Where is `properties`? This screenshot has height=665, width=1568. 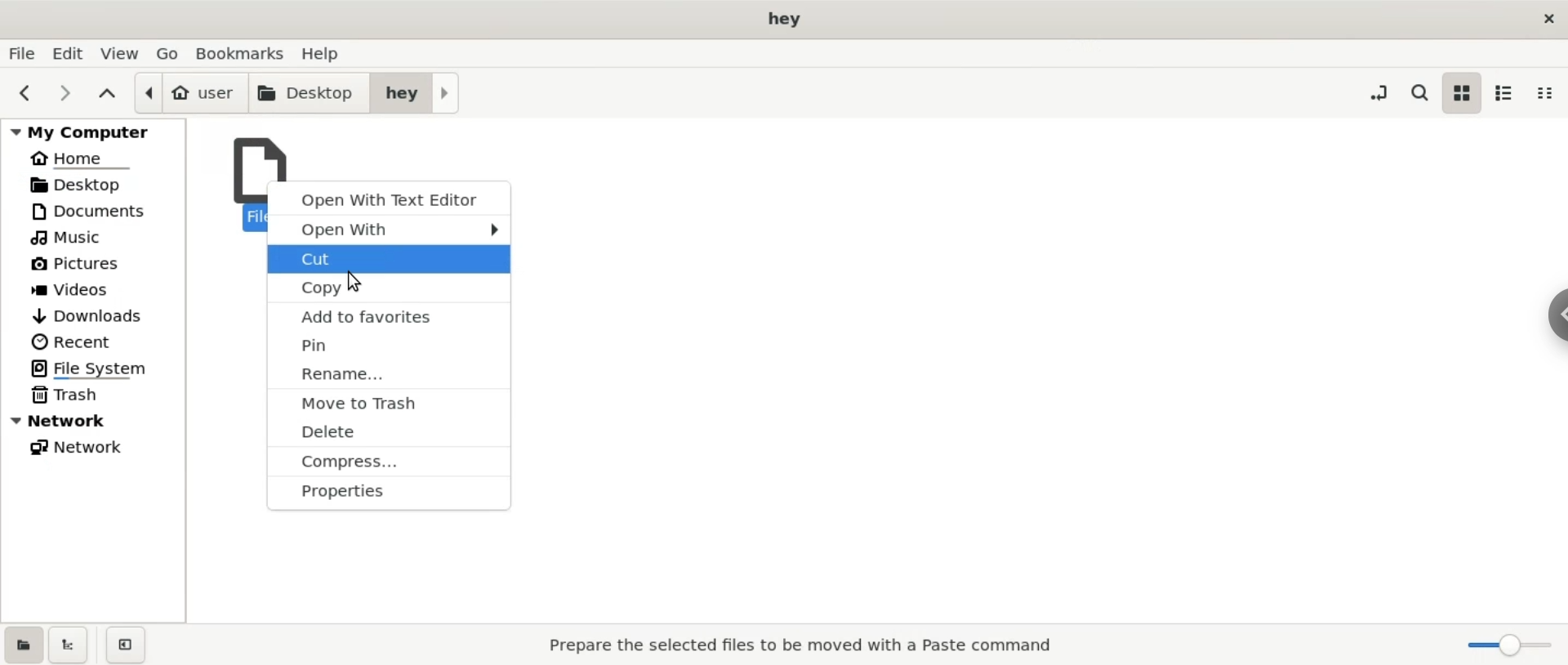 properties is located at coordinates (385, 496).